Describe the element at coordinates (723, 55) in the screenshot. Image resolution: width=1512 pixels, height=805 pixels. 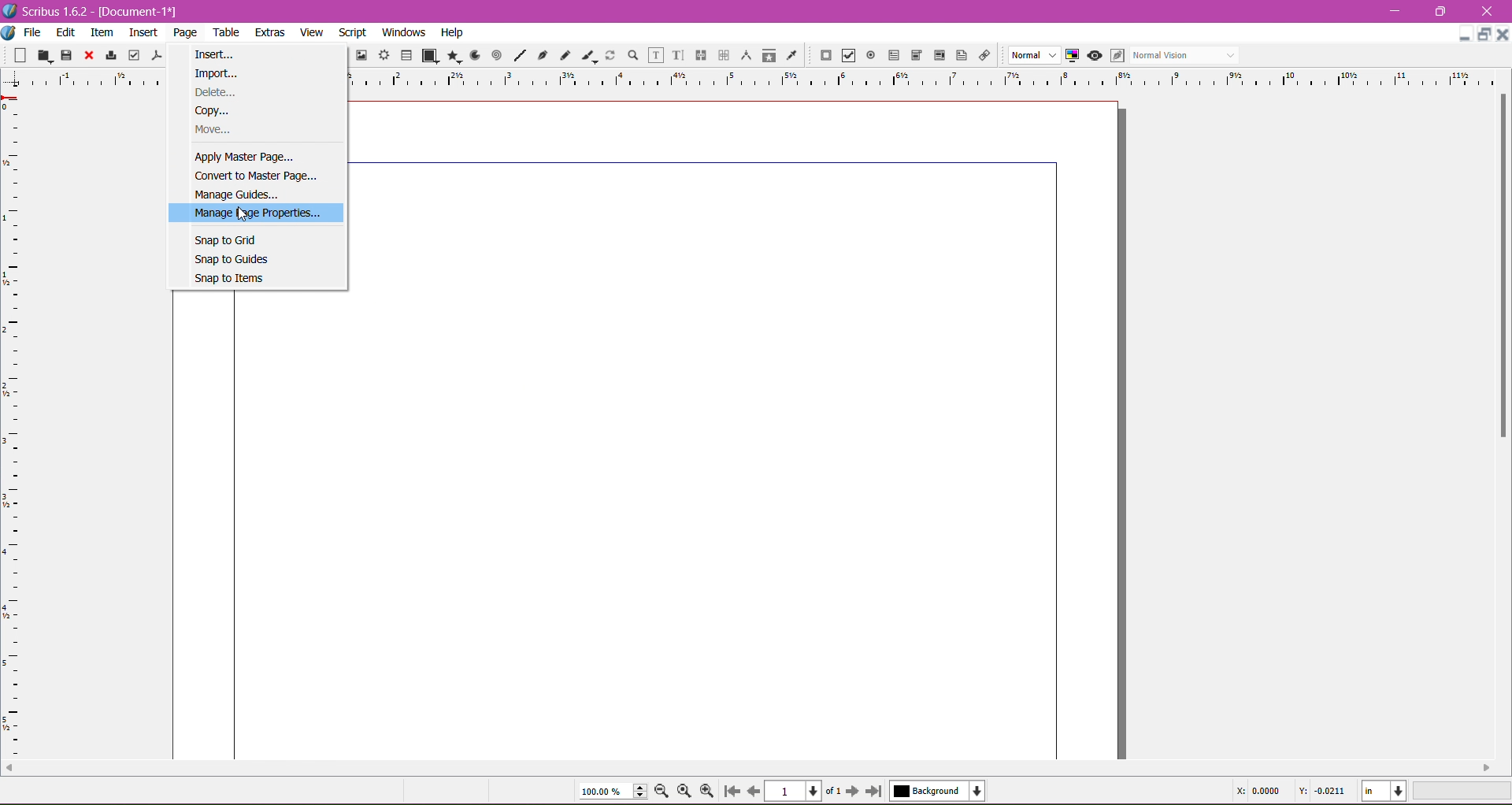
I see `Unlink Text Frames` at that location.